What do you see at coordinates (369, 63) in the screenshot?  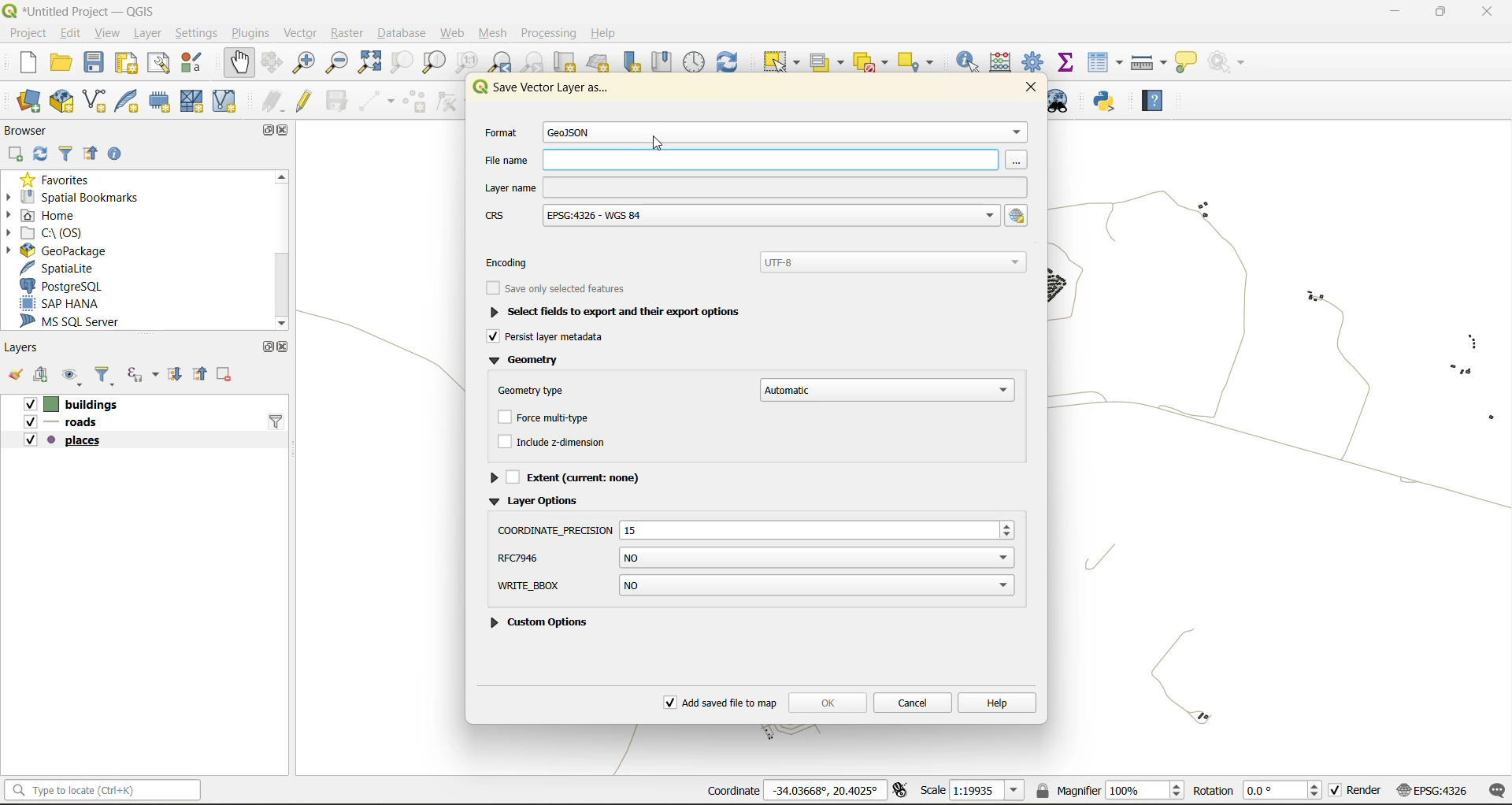 I see `zoom full` at bounding box center [369, 63].